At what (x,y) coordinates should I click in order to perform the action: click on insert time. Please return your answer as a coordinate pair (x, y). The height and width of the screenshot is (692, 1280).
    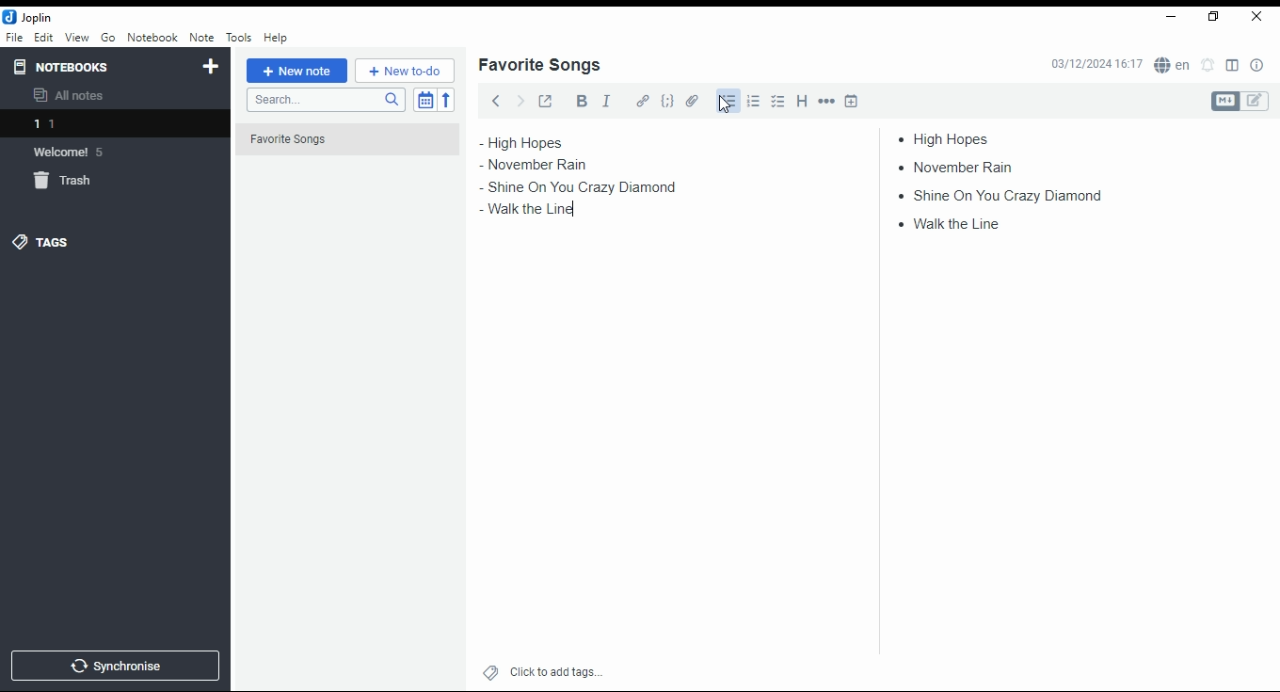
    Looking at the image, I should click on (852, 100).